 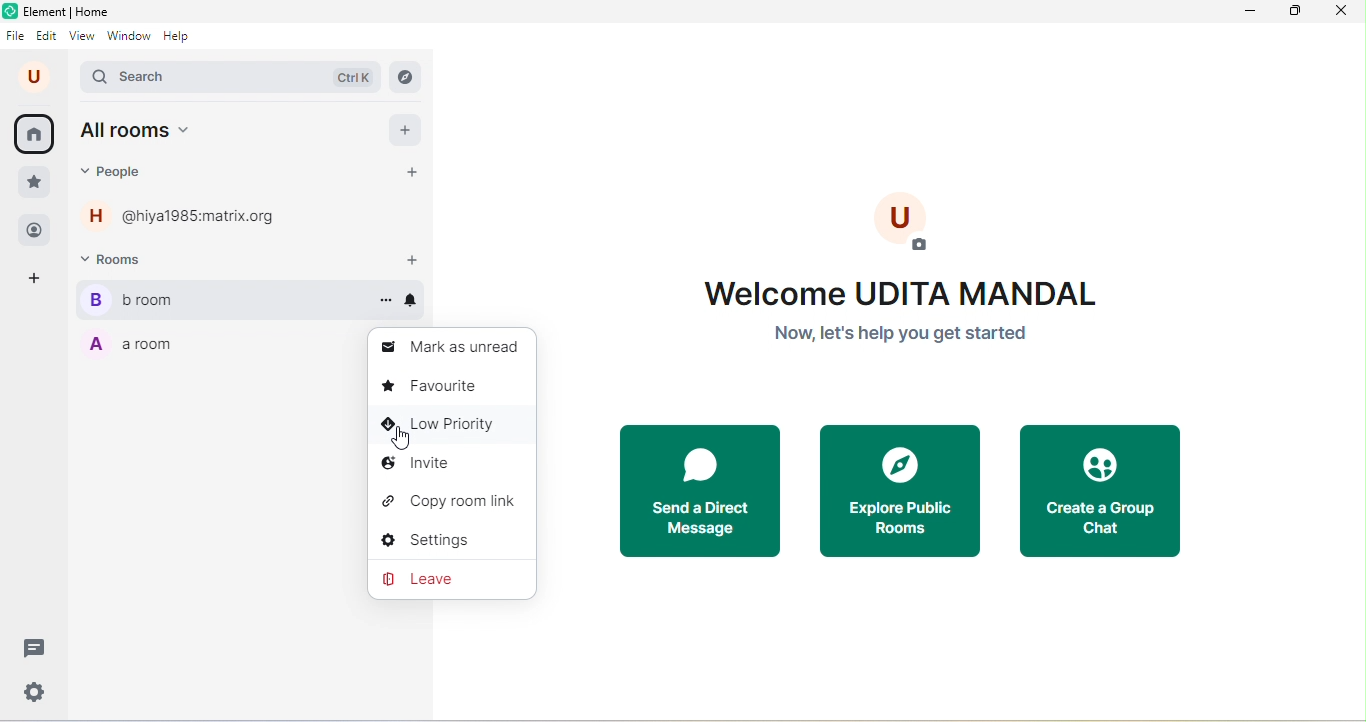 What do you see at coordinates (209, 216) in the screenshot?
I see `@hiya1985.matrix.org` at bounding box center [209, 216].